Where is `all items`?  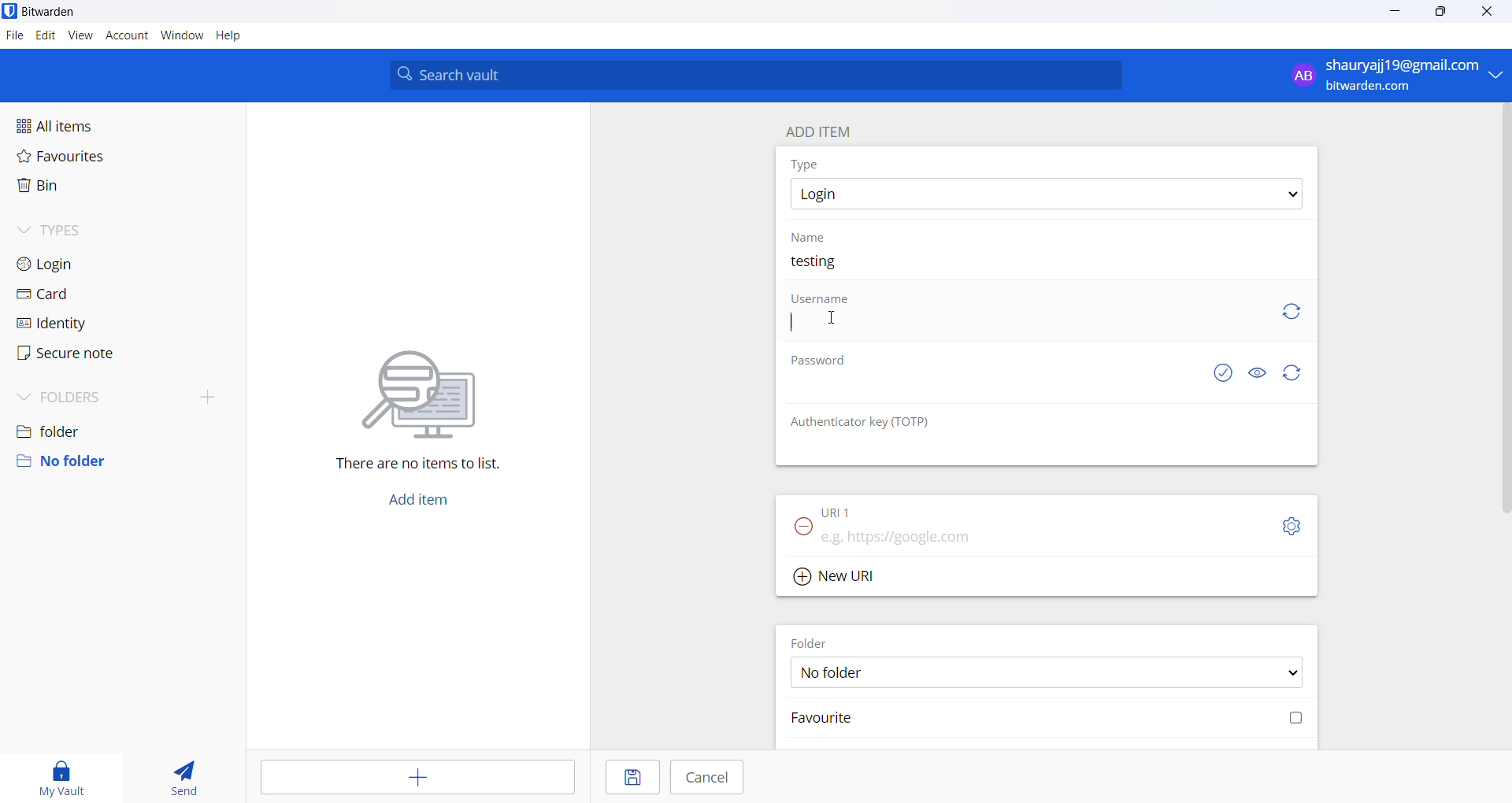 all items is located at coordinates (91, 123).